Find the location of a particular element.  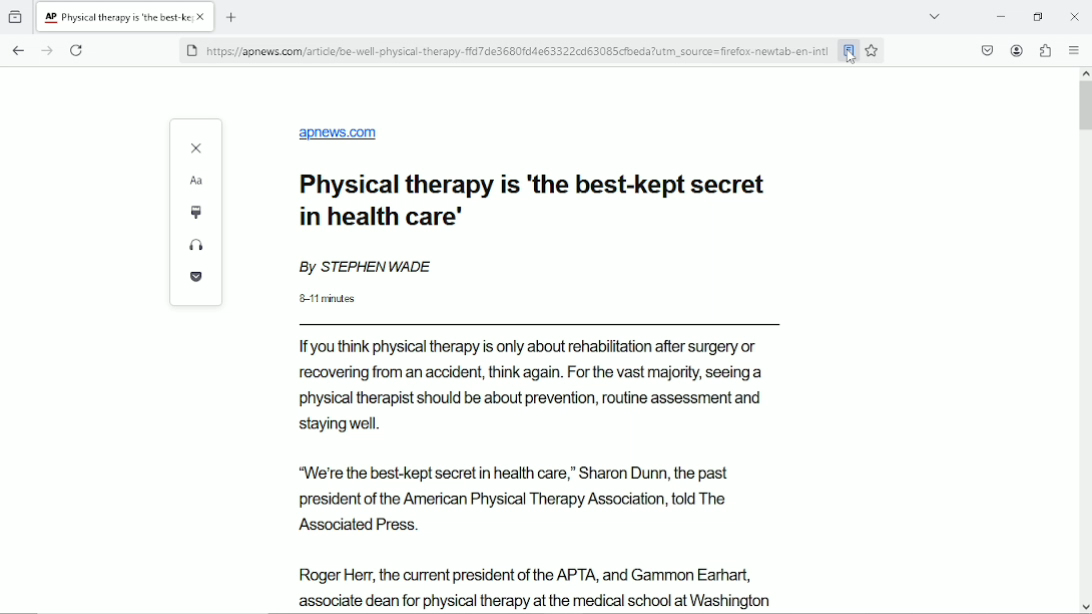

restore down is located at coordinates (1038, 16).